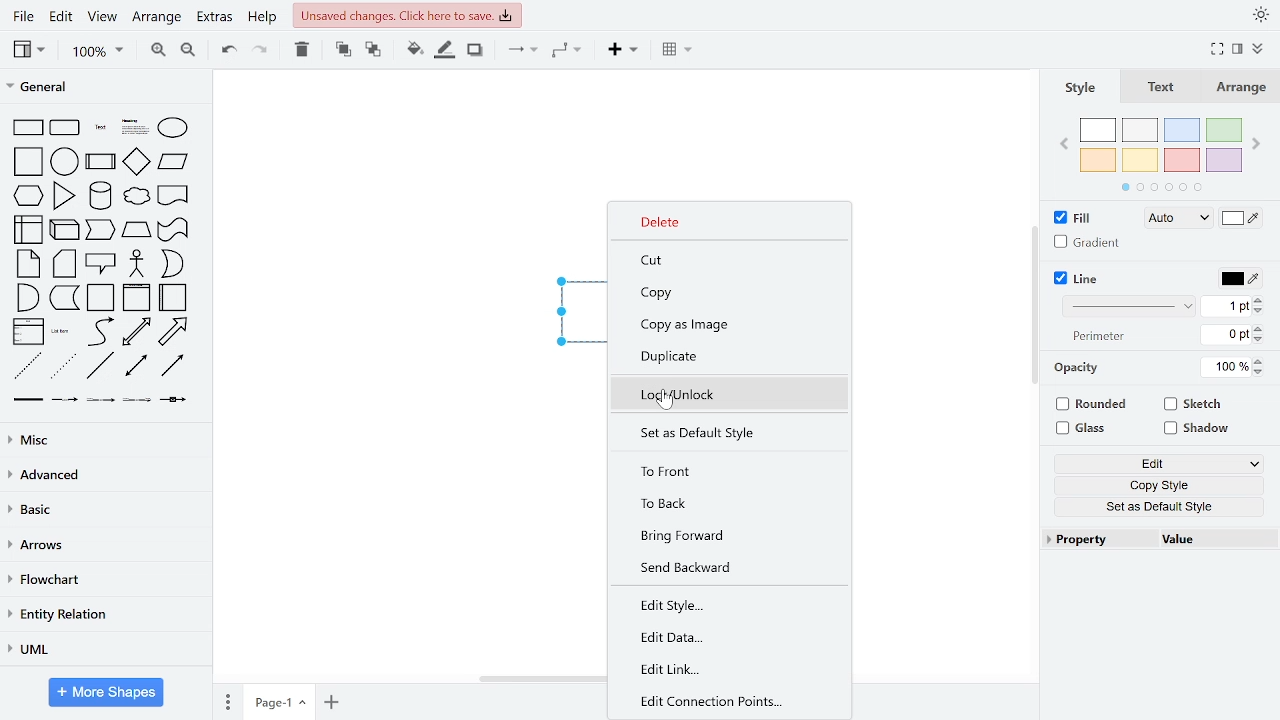 The height and width of the screenshot is (720, 1280). I want to click on data storage, so click(64, 298).